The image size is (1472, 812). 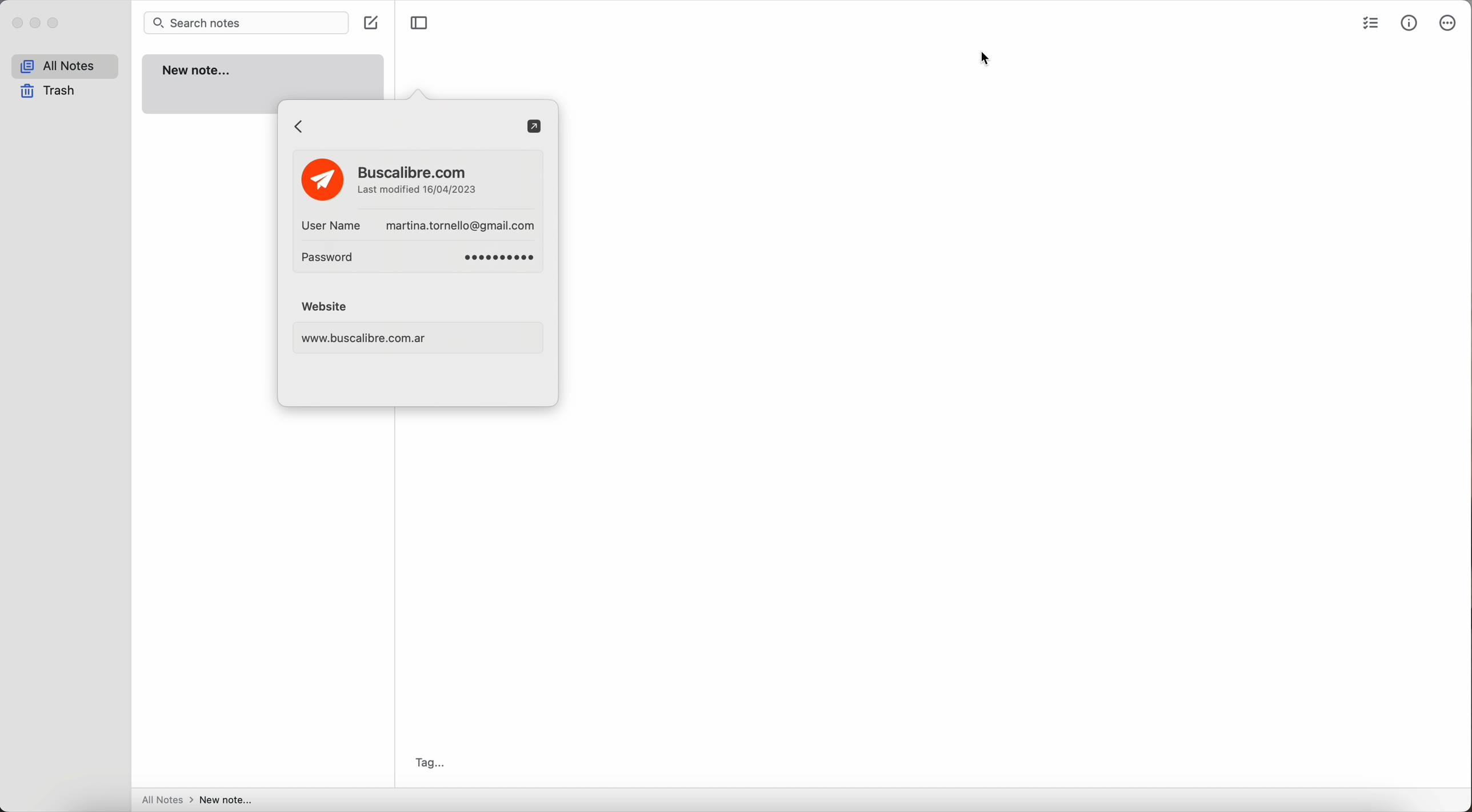 I want to click on all notes, so click(x=63, y=67).